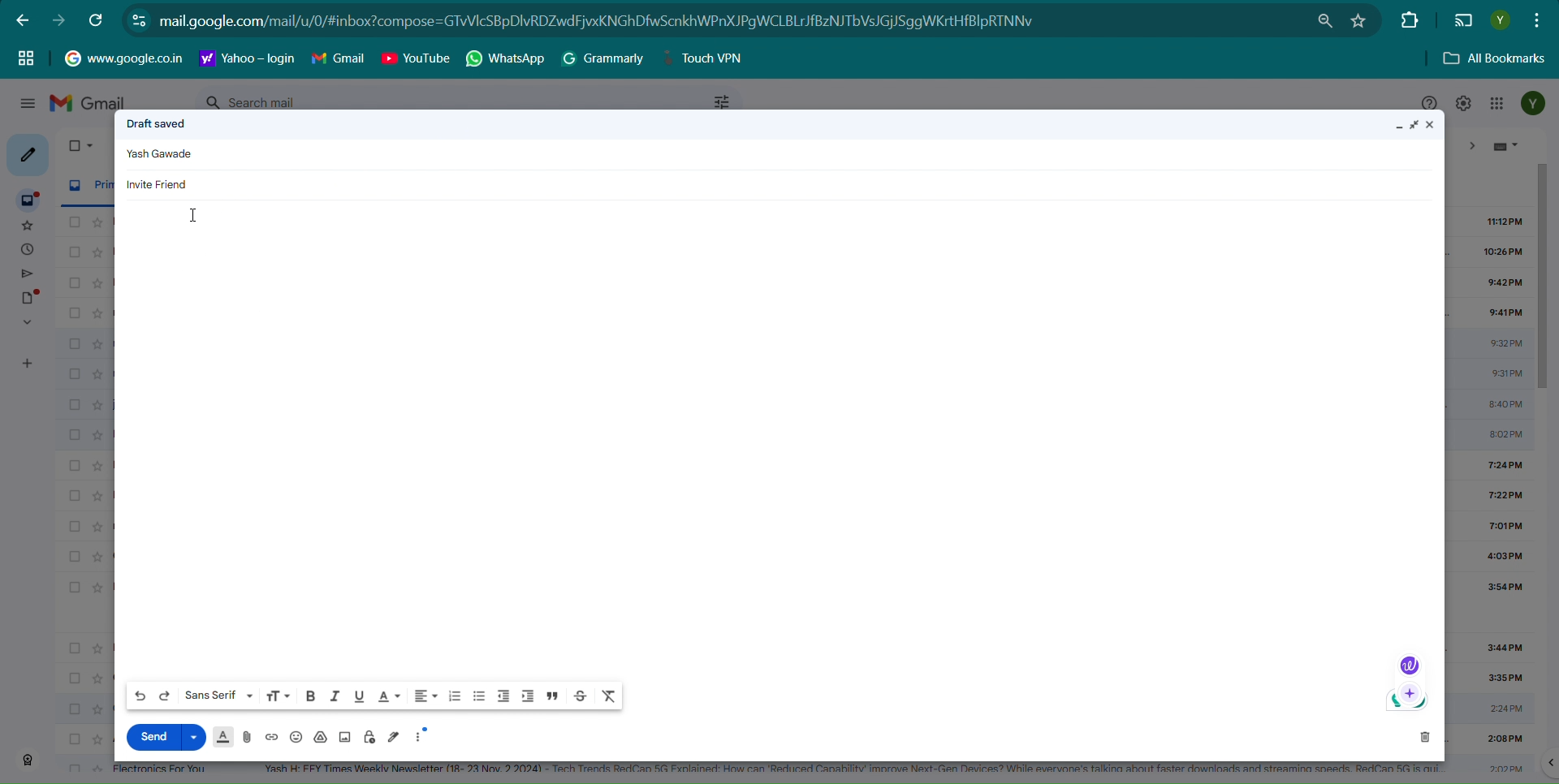 This screenshot has width=1559, height=784. I want to click on Insert Link, so click(270, 737).